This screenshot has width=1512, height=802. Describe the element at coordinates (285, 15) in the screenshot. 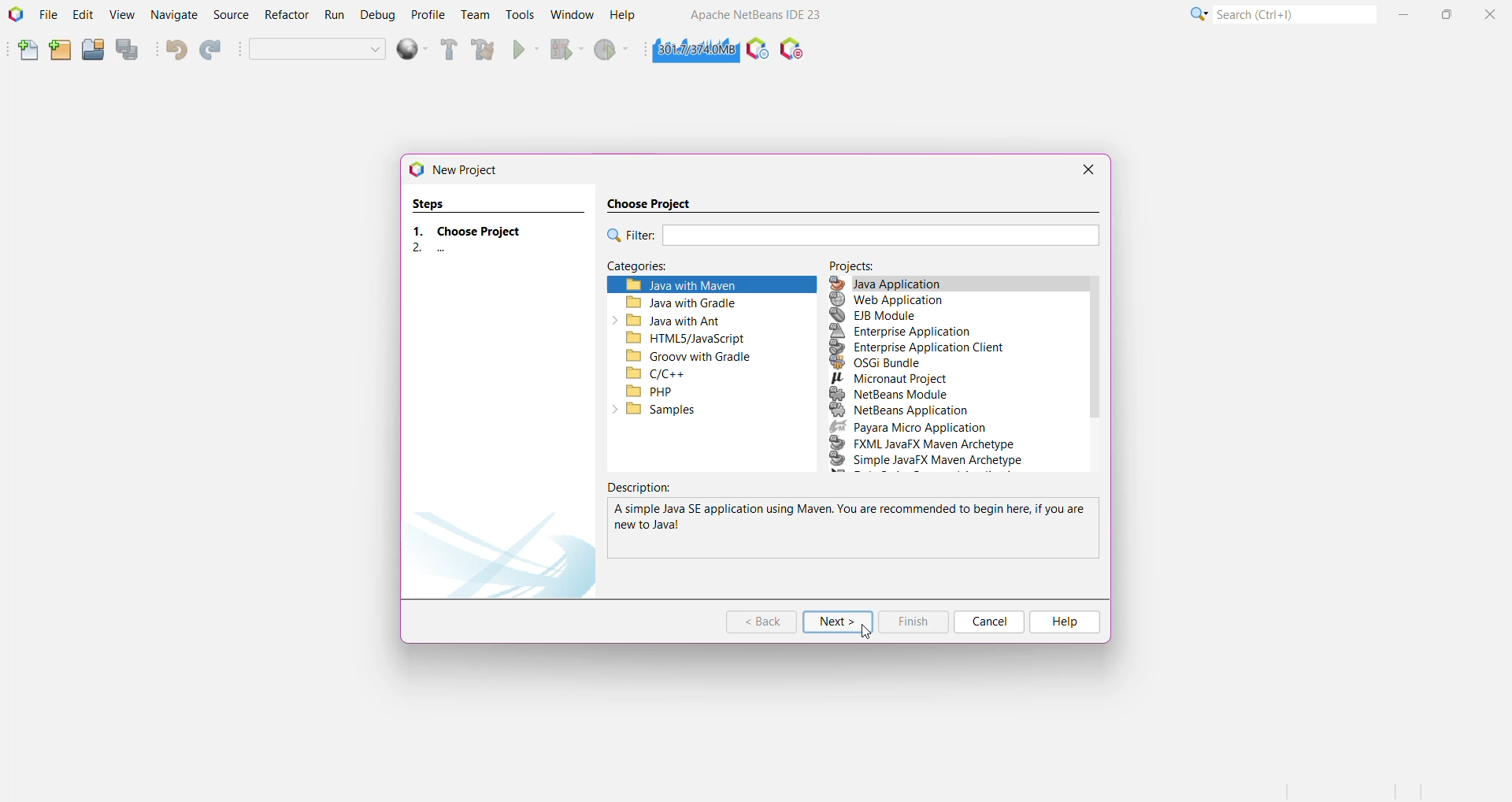

I see `Refractor` at that location.